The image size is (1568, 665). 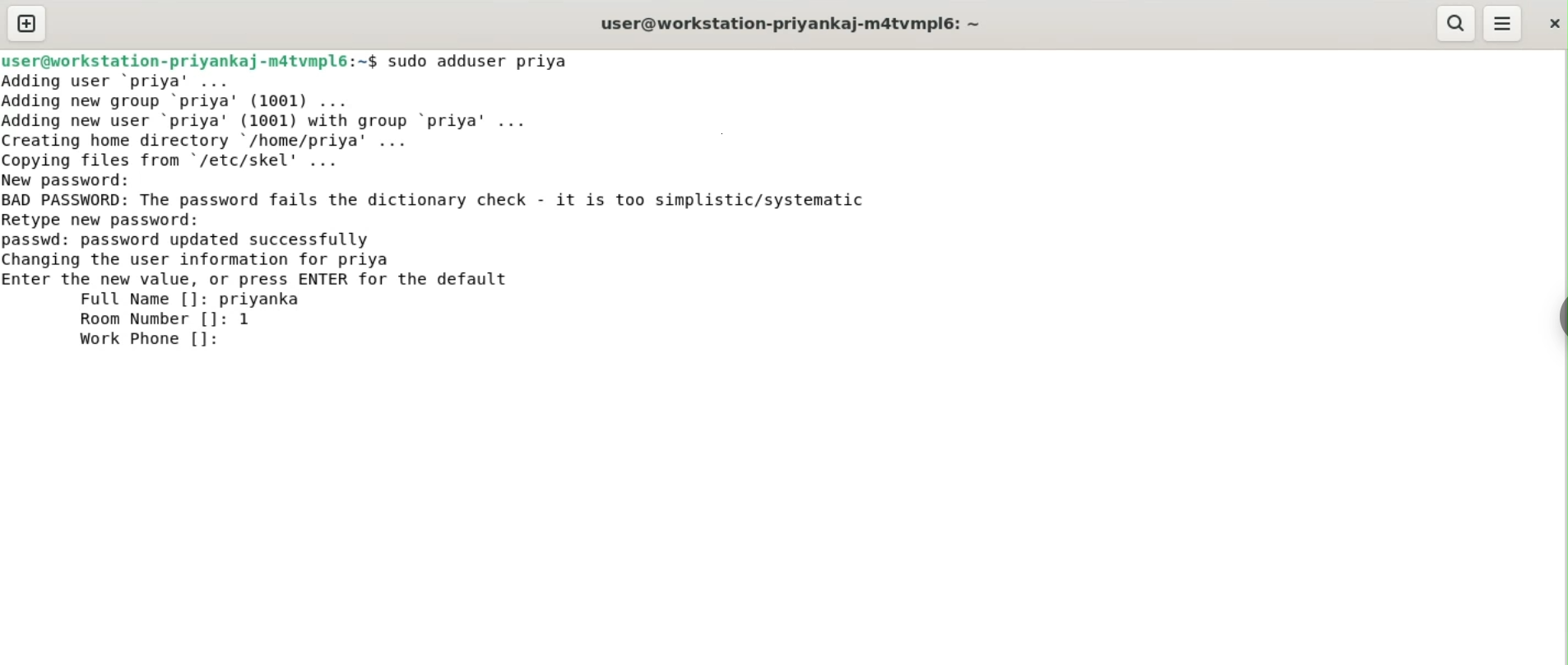 What do you see at coordinates (274, 121) in the screenshot?
I see `Adding user ‘priya' ...

Adding new group ‘priya’ (1001) ...

Adding new user ‘priya' (1001) with group ‘priya' ...
Creating home directory '/home/priya' ...

Copying files from "/etc/skel' ...` at bounding box center [274, 121].